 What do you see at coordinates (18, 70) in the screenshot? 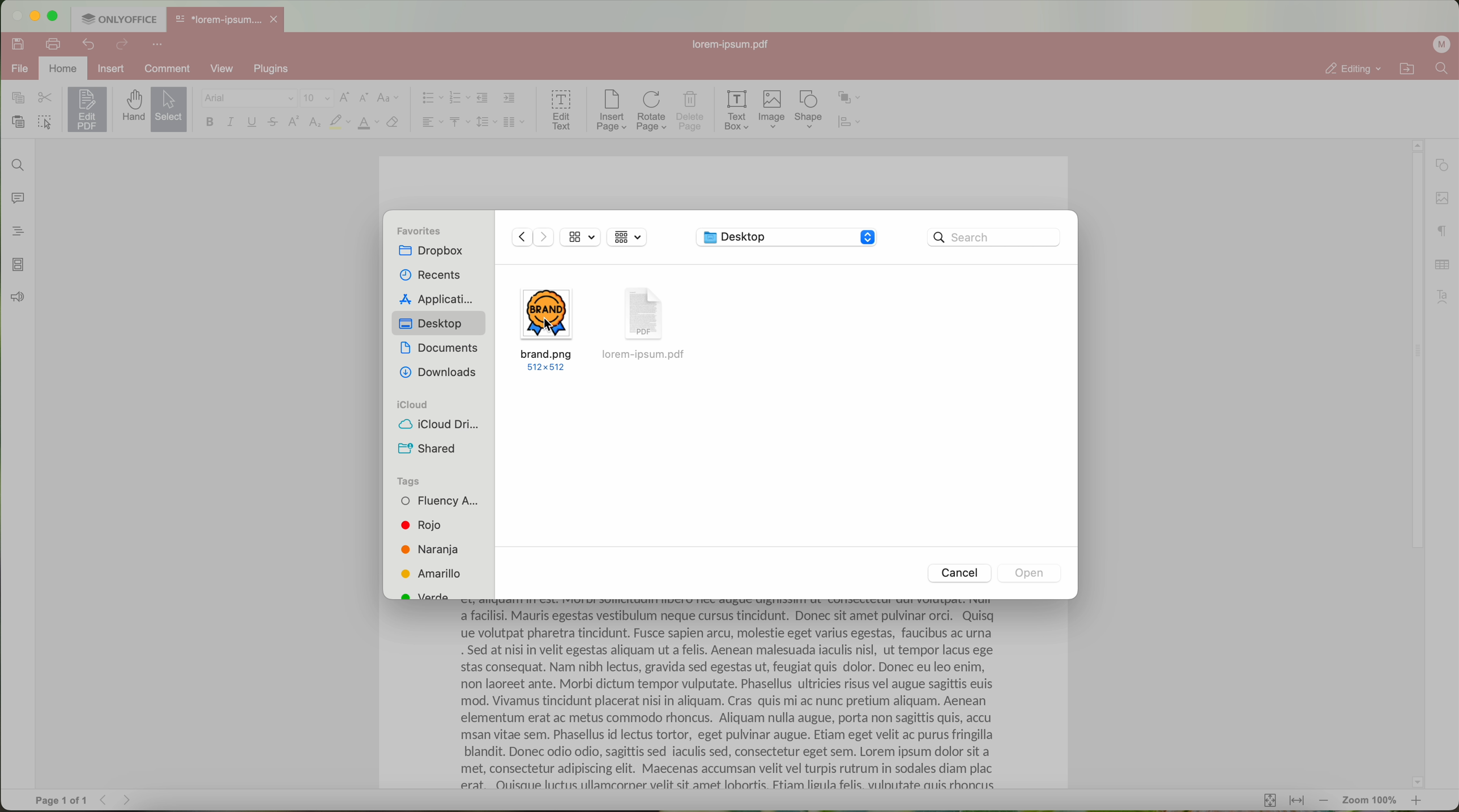
I see `file` at bounding box center [18, 70].